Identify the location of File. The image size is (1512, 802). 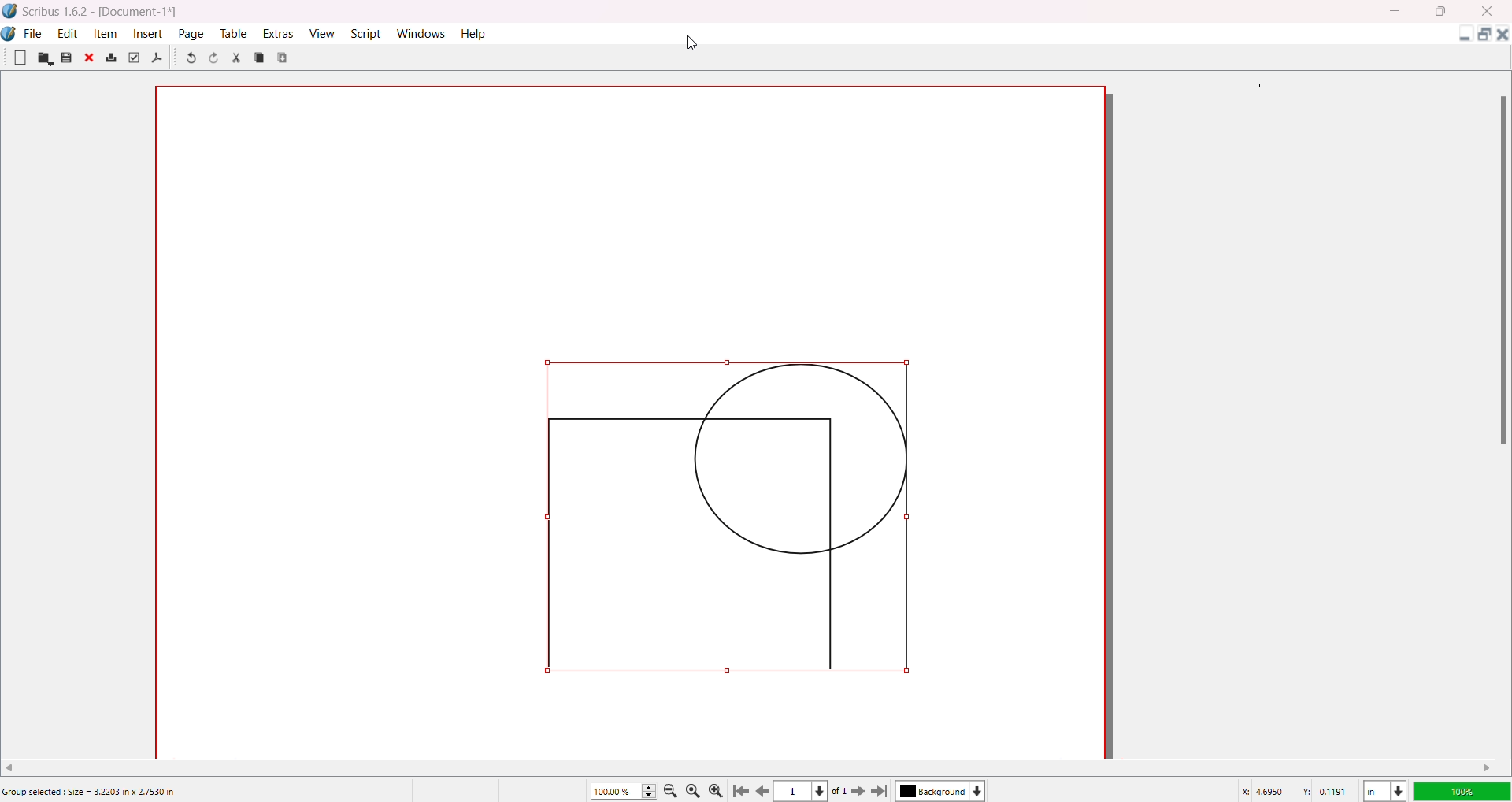
(34, 32).